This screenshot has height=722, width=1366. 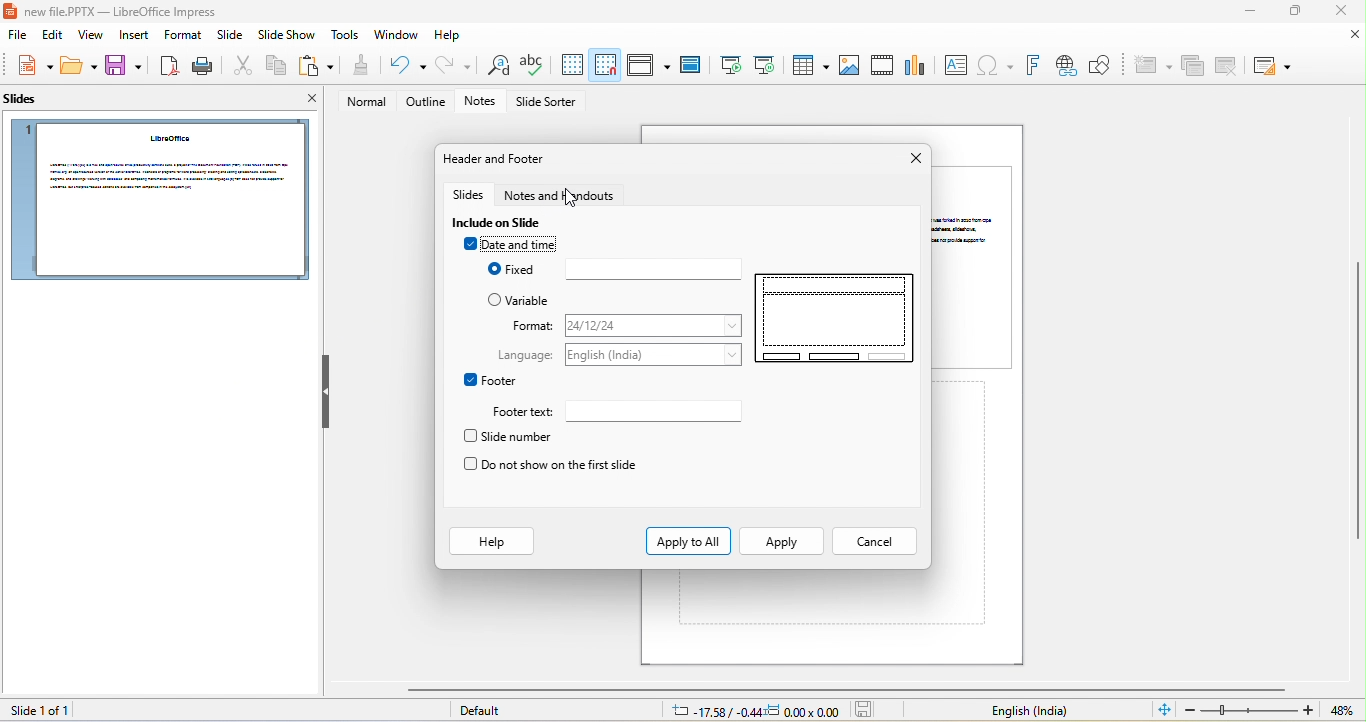 What do you see at coordinates (550, 466) in the screenshot?
I see `do not show on the first slide` at bounding box center [550, 466].